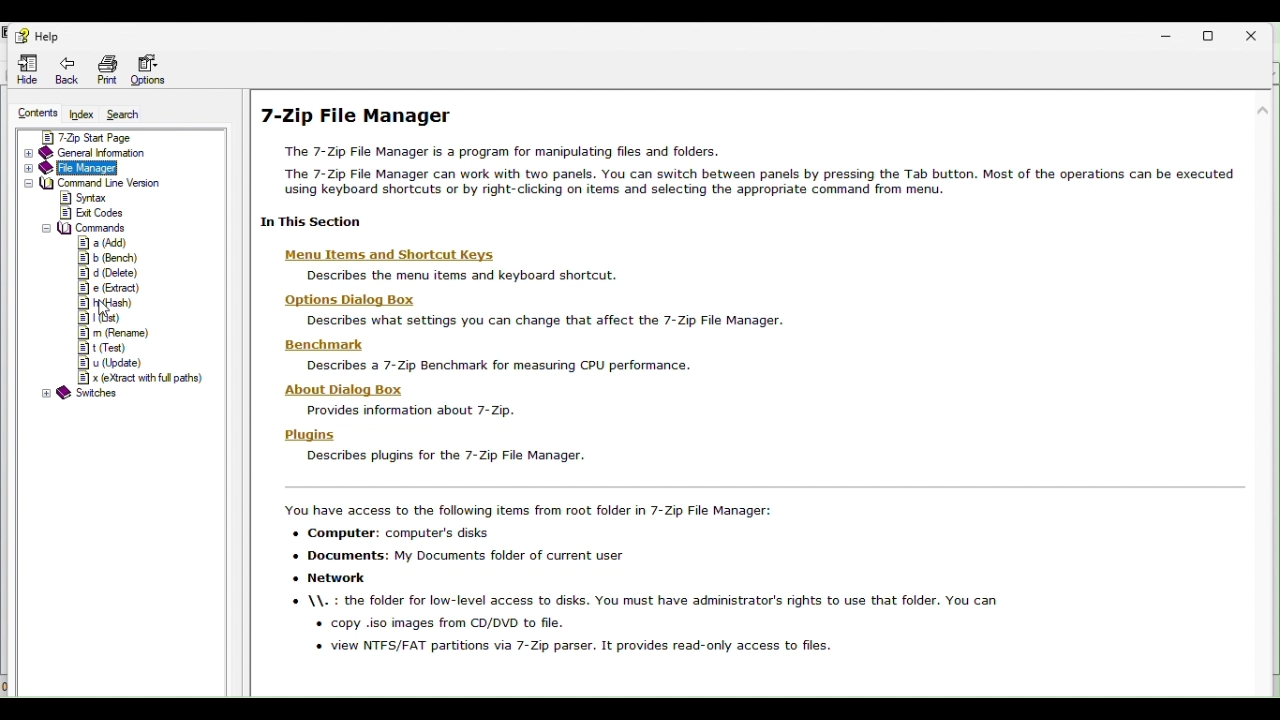  I want to click on search, so click(130, 114).